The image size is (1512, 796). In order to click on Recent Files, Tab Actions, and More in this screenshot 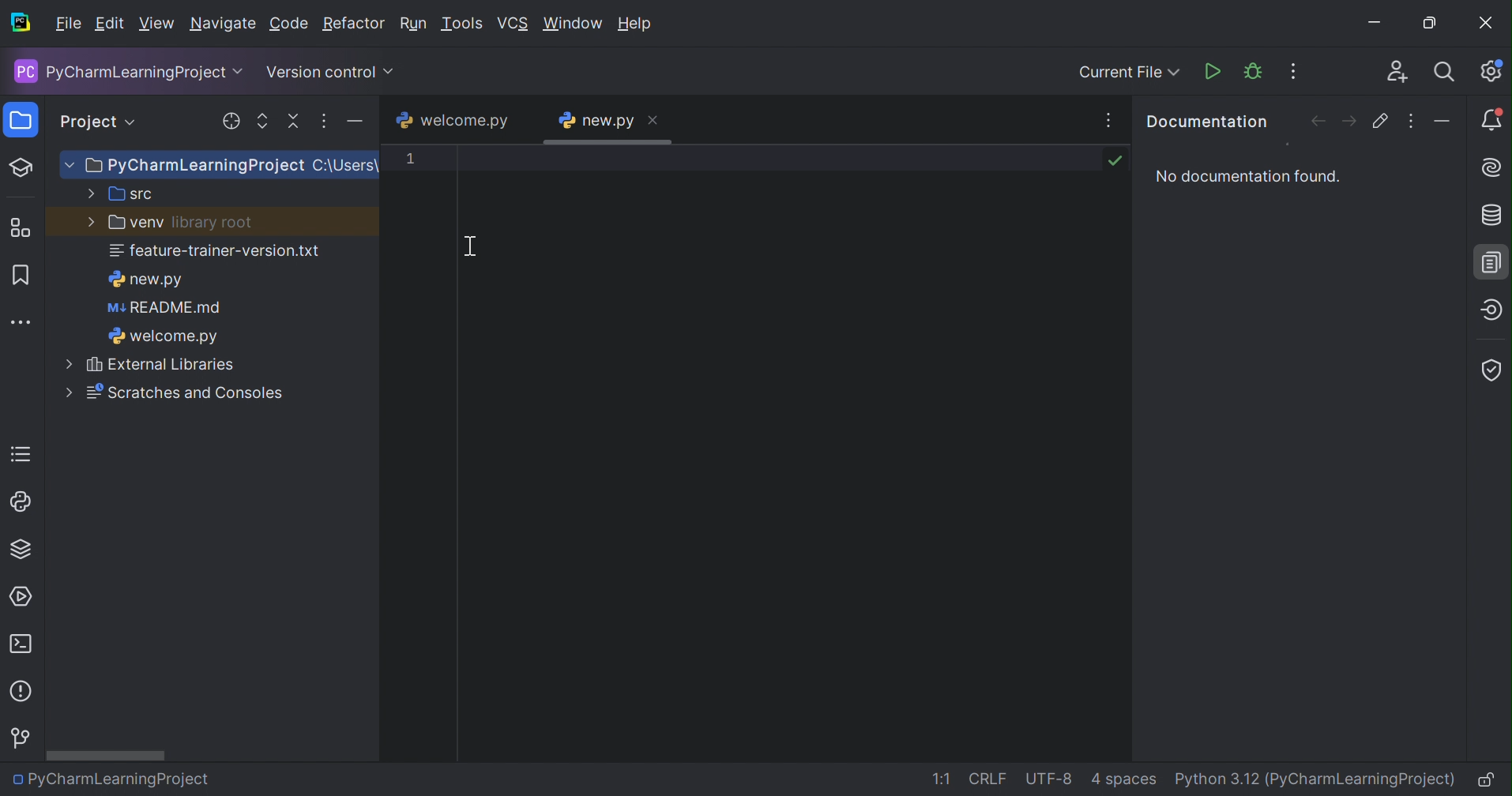, I will do `click(1105, 118)`.